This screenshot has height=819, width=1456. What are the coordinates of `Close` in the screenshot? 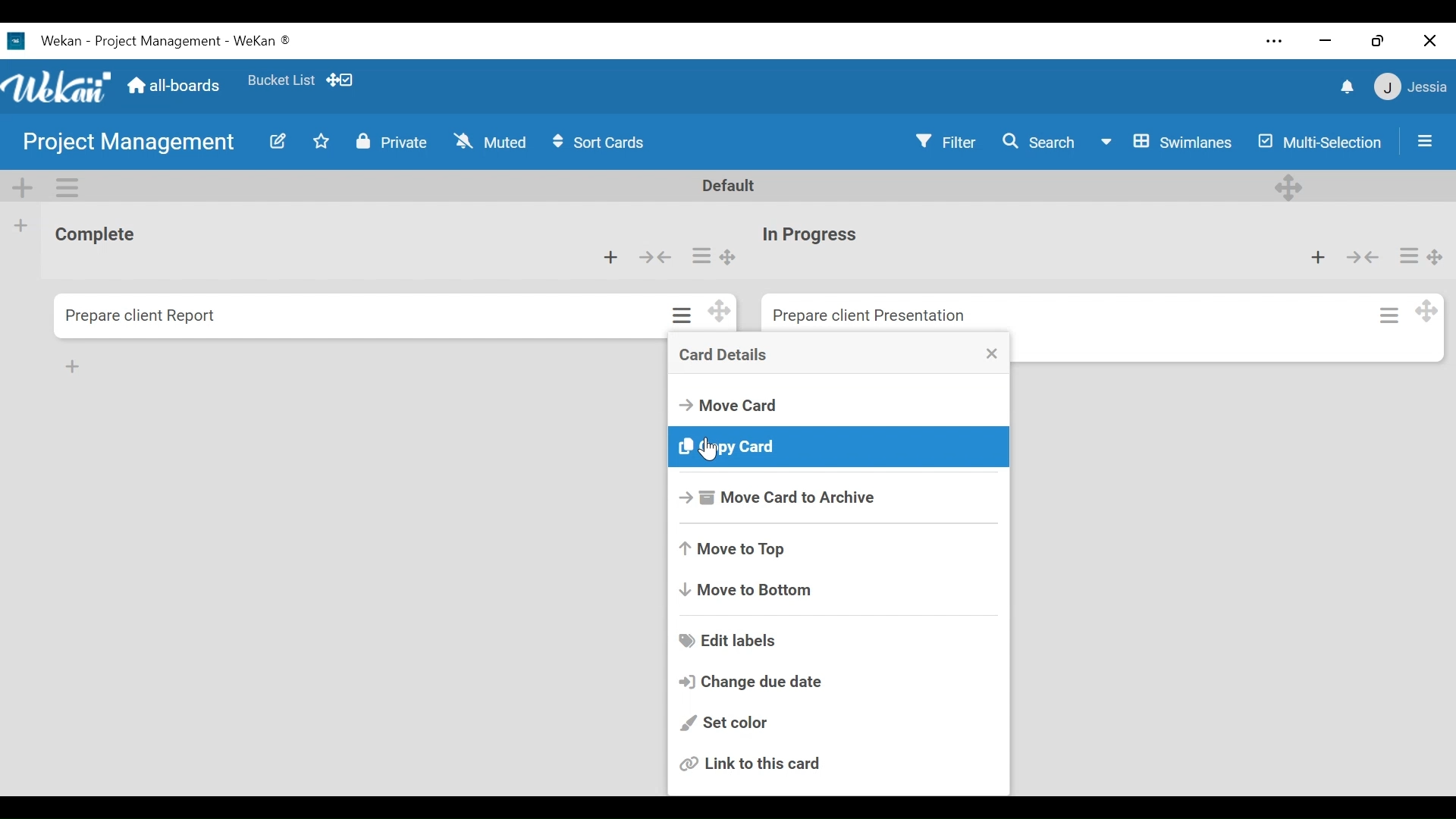 It's located at (993, 353).